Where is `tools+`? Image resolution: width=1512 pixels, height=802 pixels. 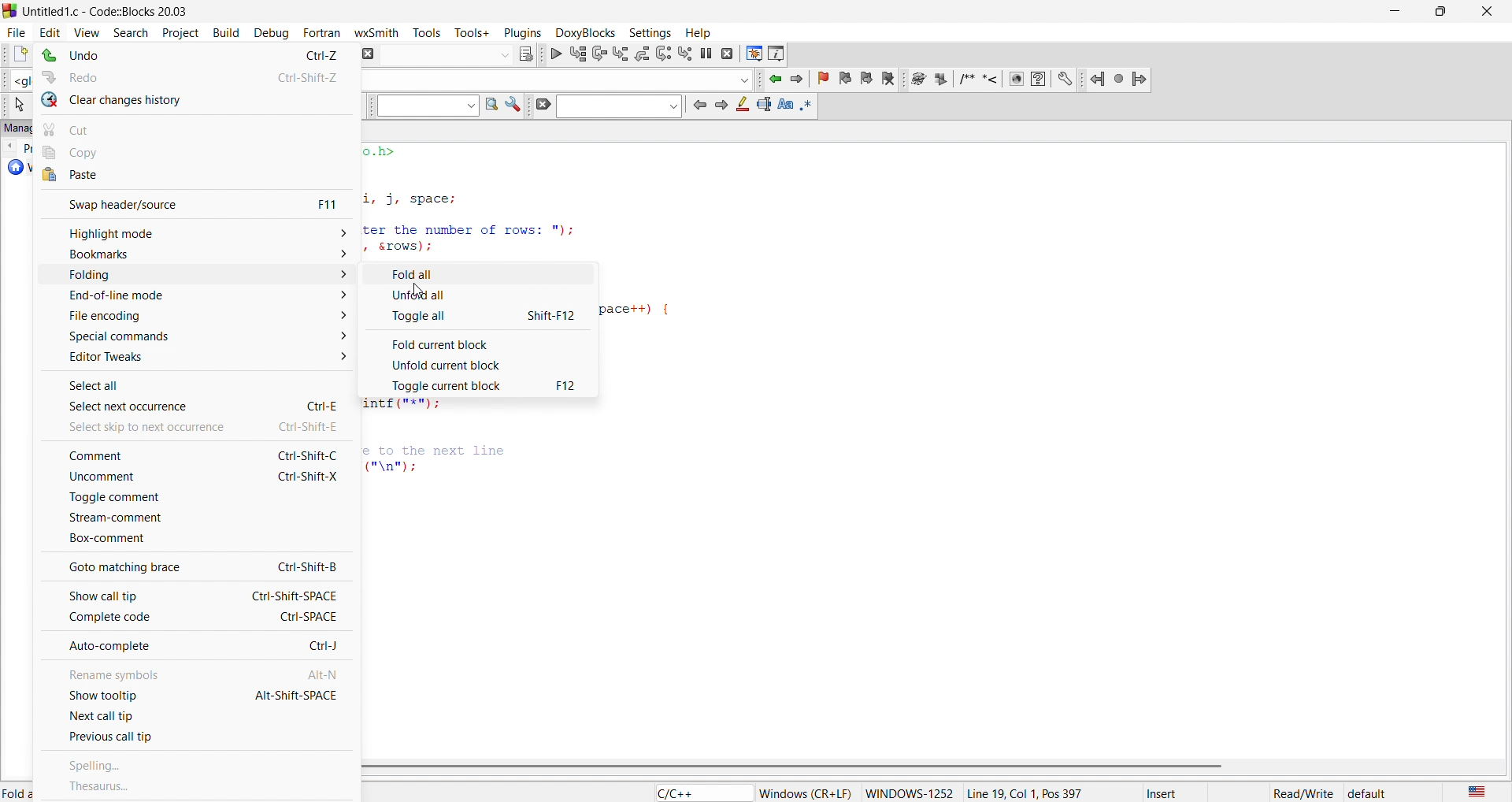
tools+ is located at coordinates (472, 32).